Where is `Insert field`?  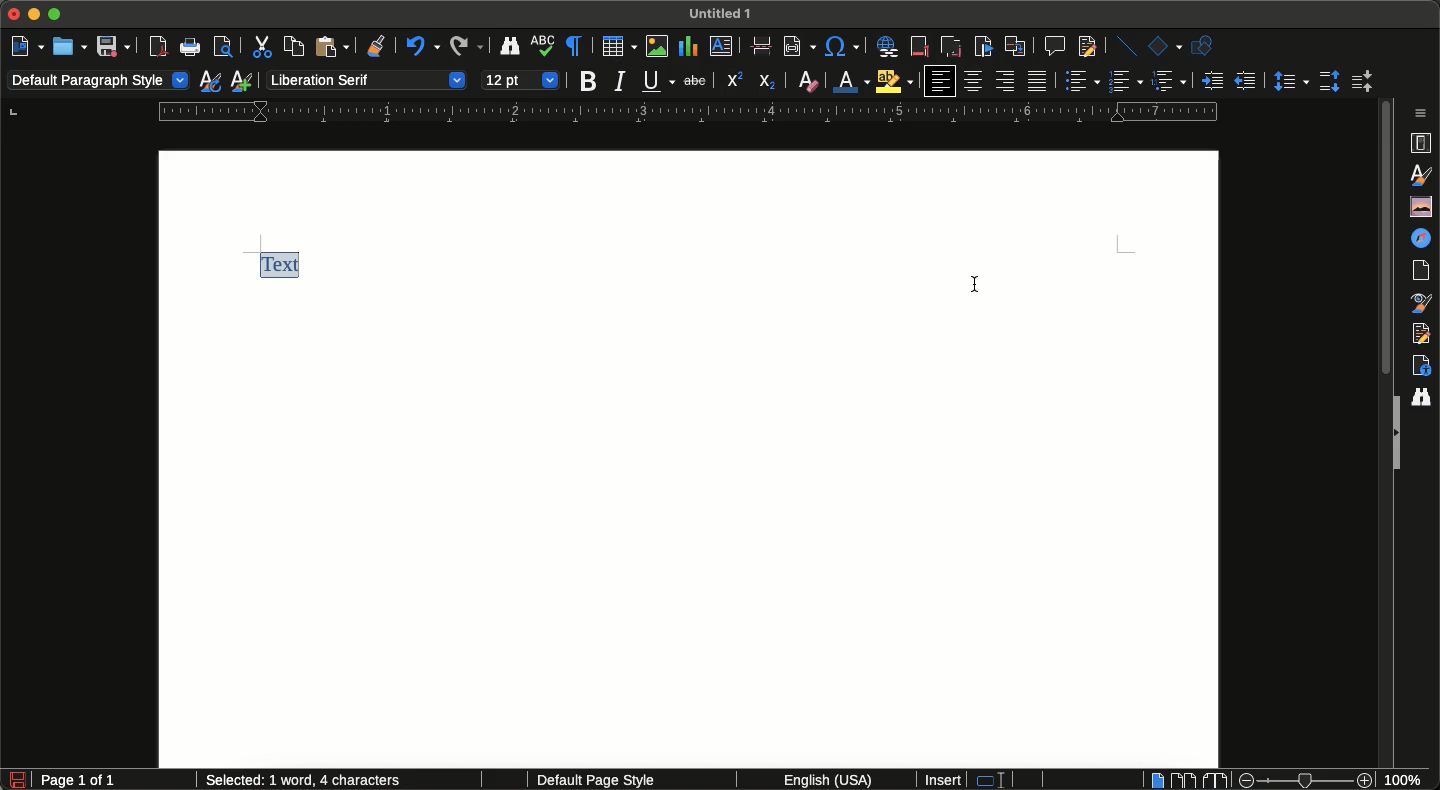 Insert field is located at coordinates (795, 46).